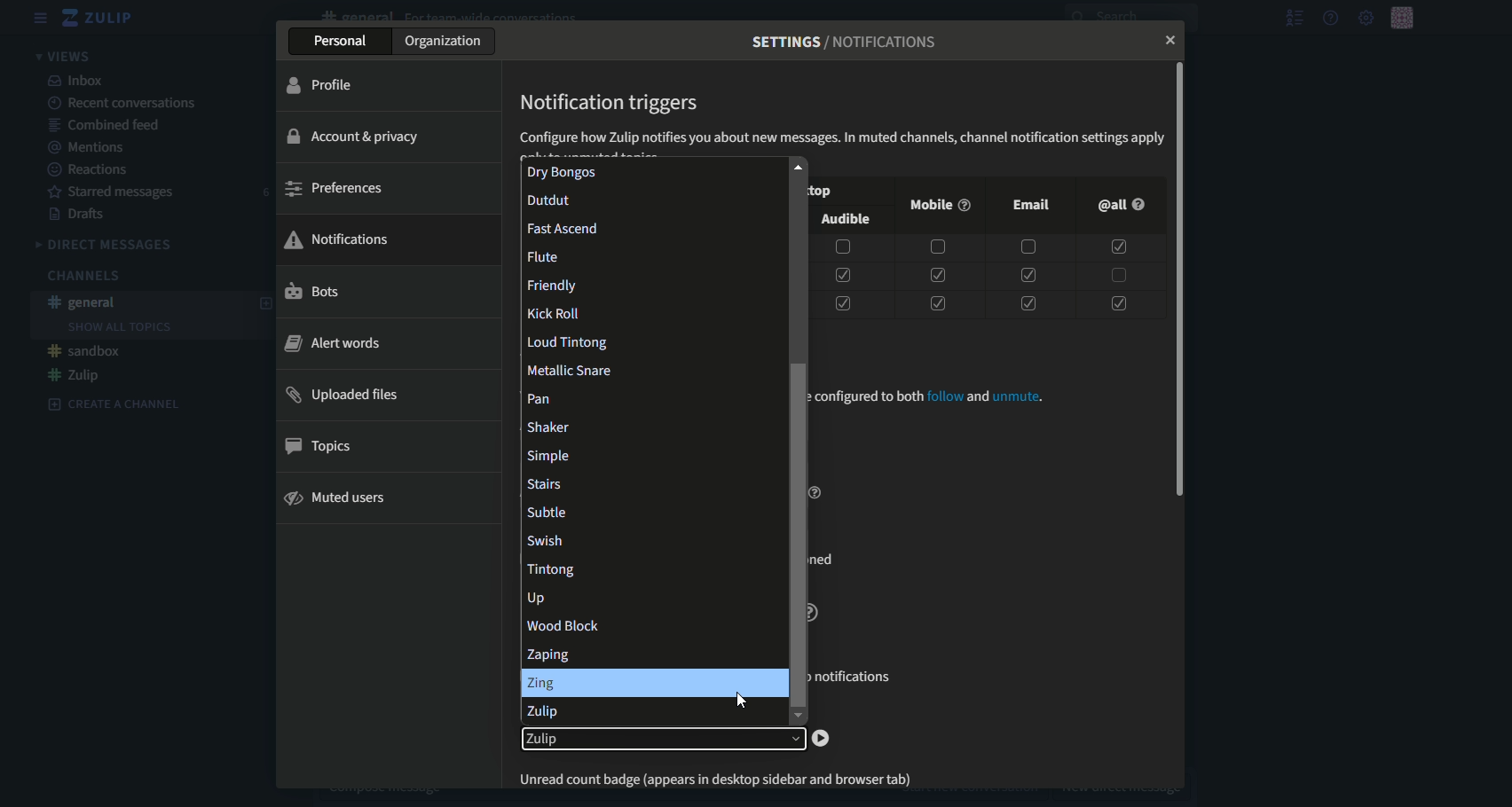  Describe the element at coordinates (937, 398) in the screenshot. I see `Text` at that location.